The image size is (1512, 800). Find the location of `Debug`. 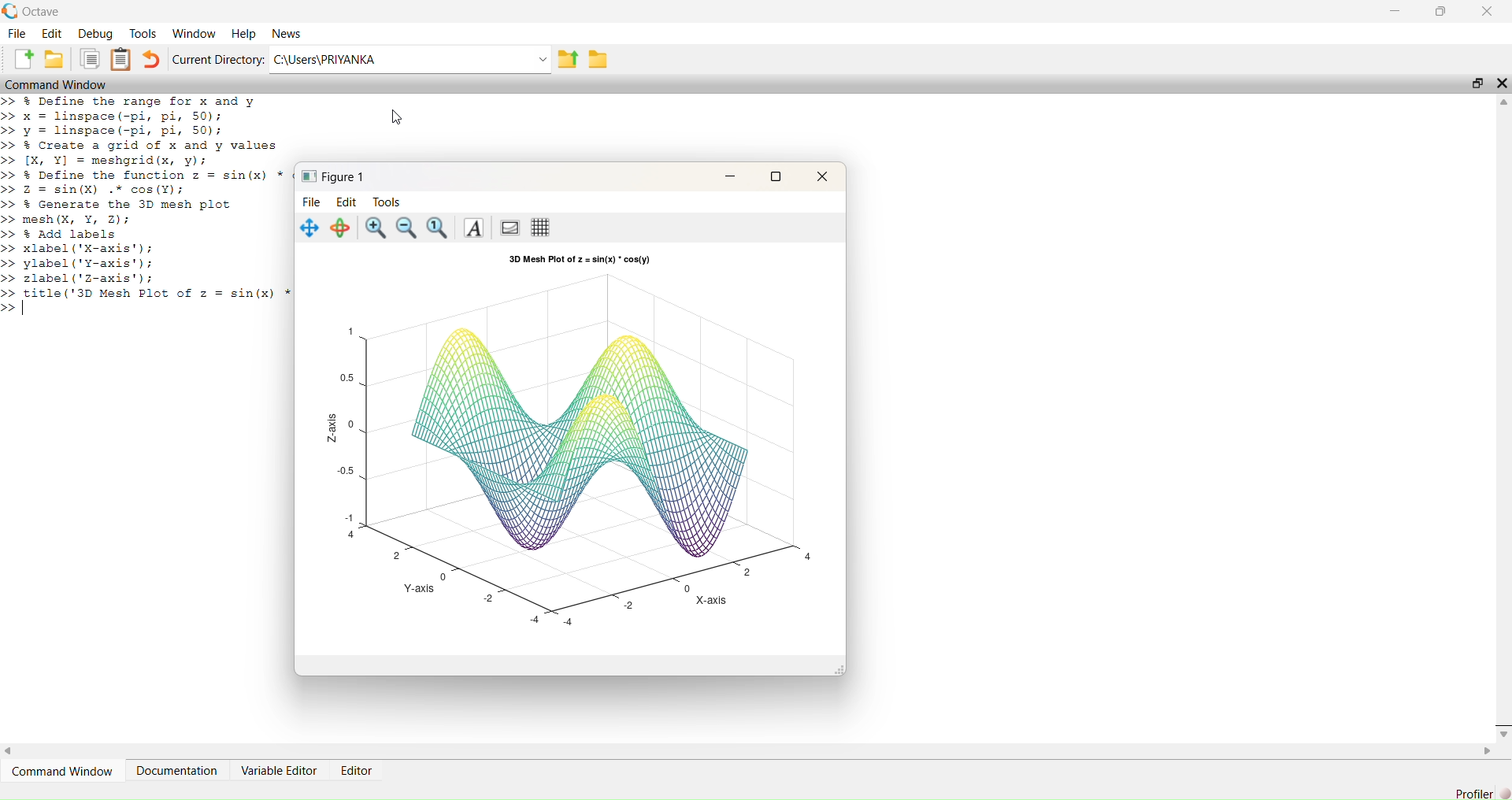

Debug is located at coordinates (96, 35).